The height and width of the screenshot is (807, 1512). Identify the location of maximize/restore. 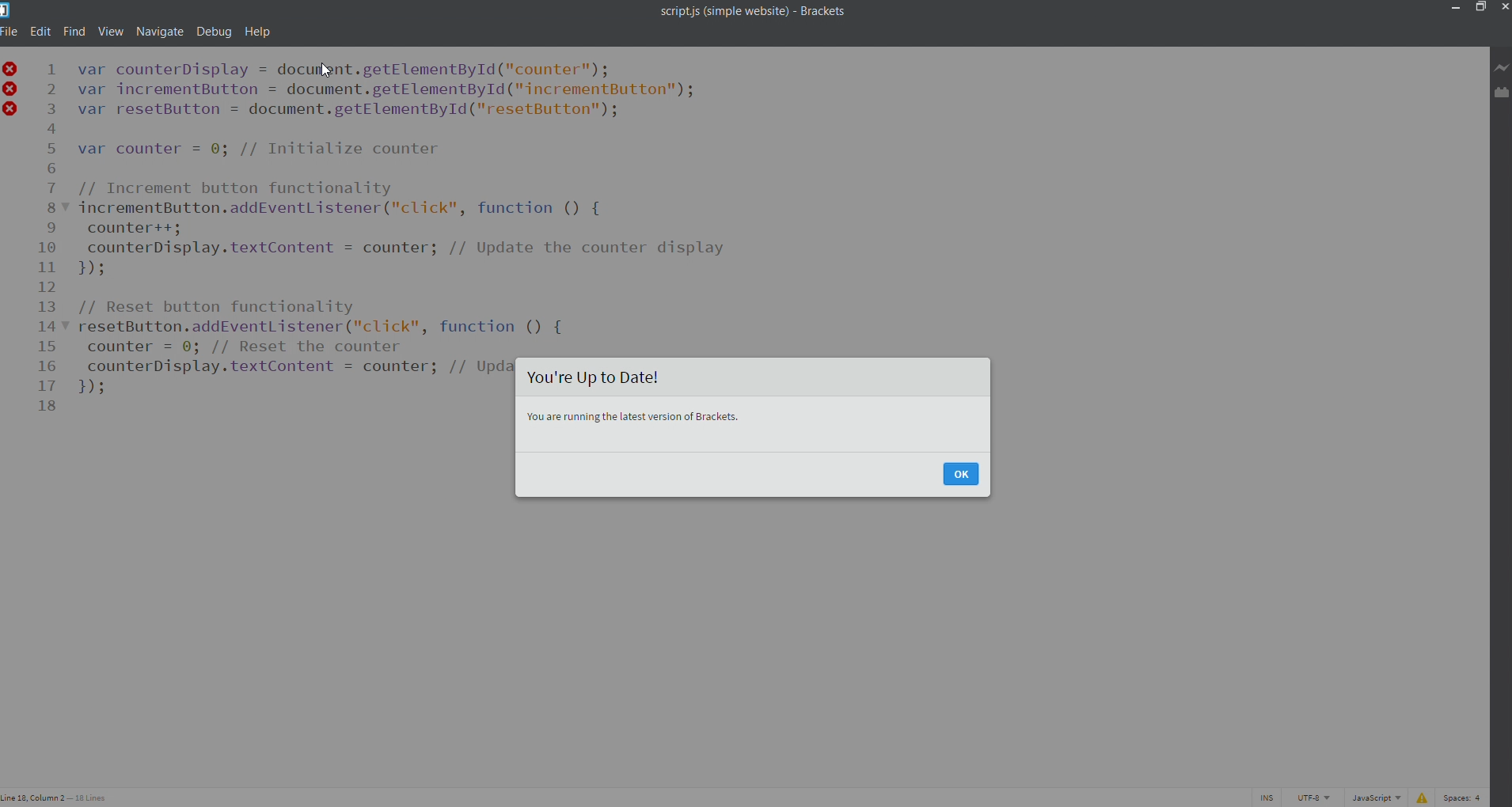
(1479, 9).